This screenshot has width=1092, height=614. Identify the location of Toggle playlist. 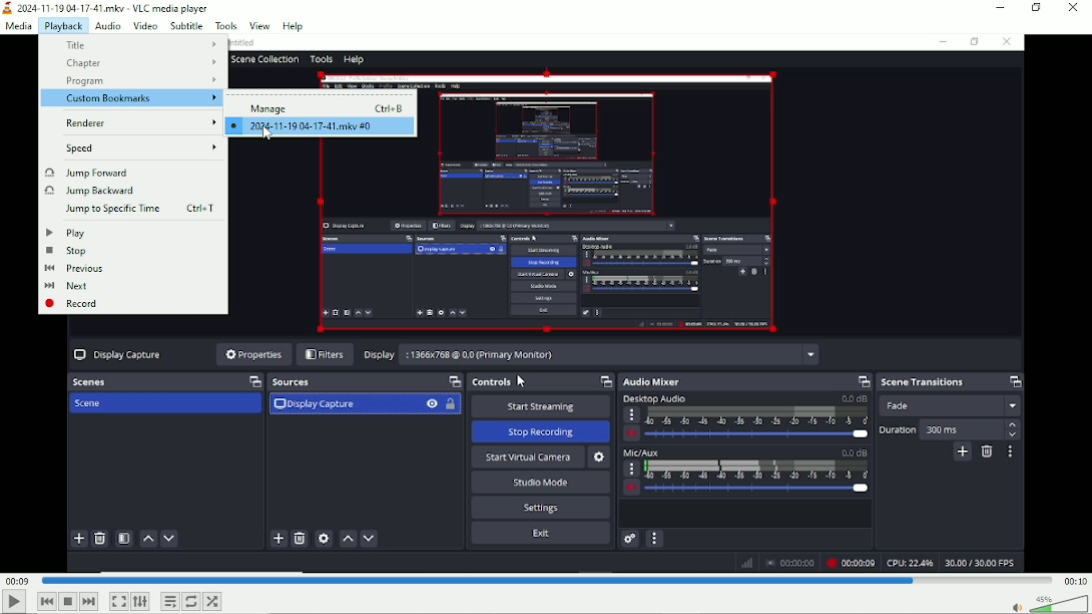
(168, 602).